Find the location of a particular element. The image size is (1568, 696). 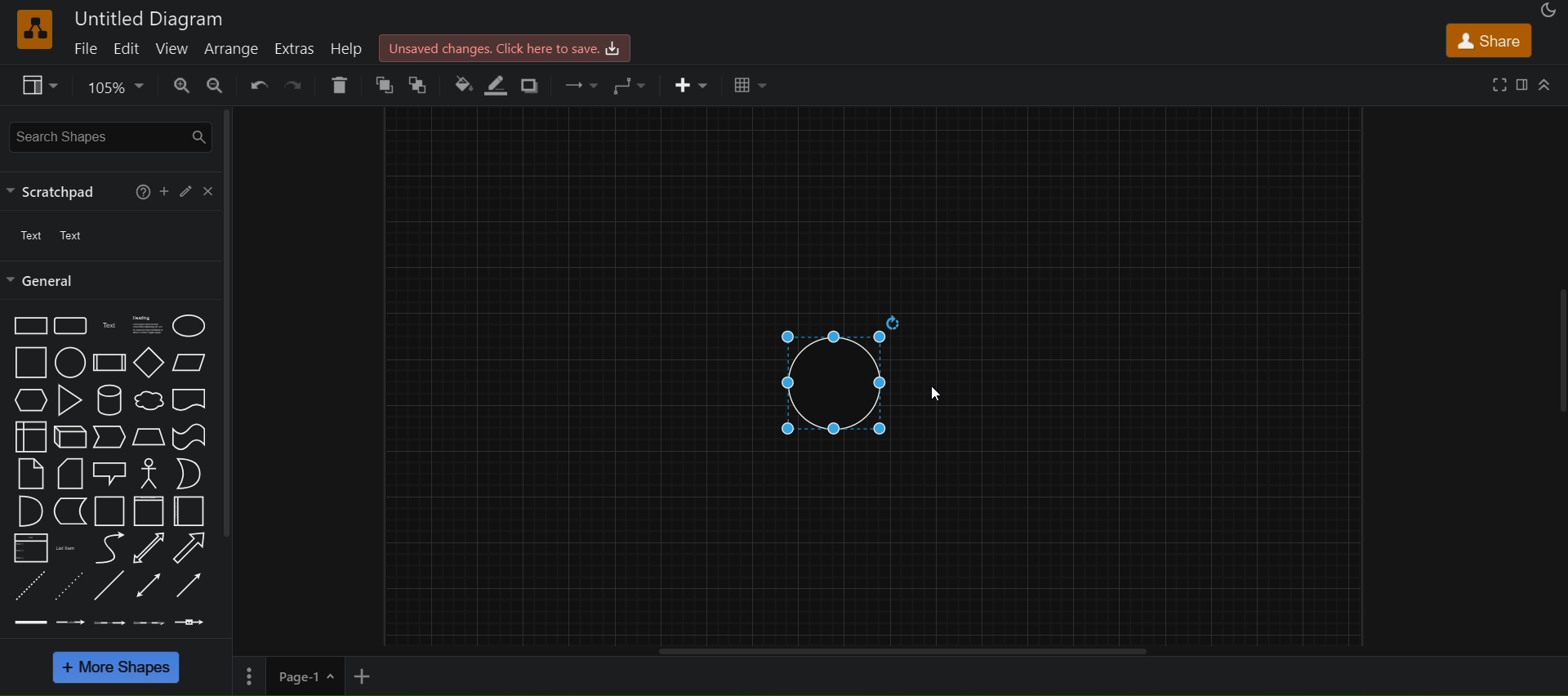

heading is located at coordinates (149, 326).